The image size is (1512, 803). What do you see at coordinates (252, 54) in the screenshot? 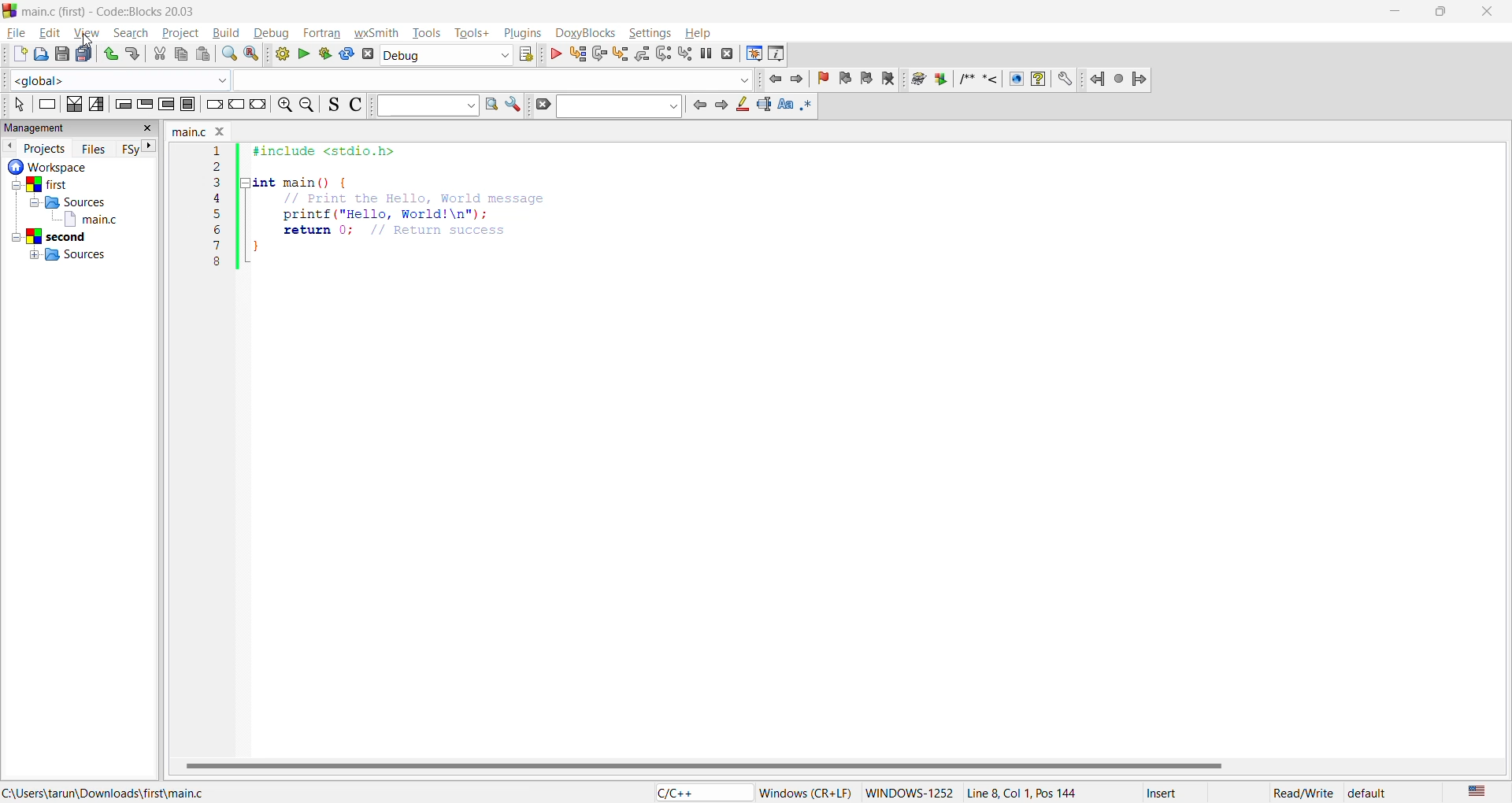
I see `replace` at bounding box center [252, 54].